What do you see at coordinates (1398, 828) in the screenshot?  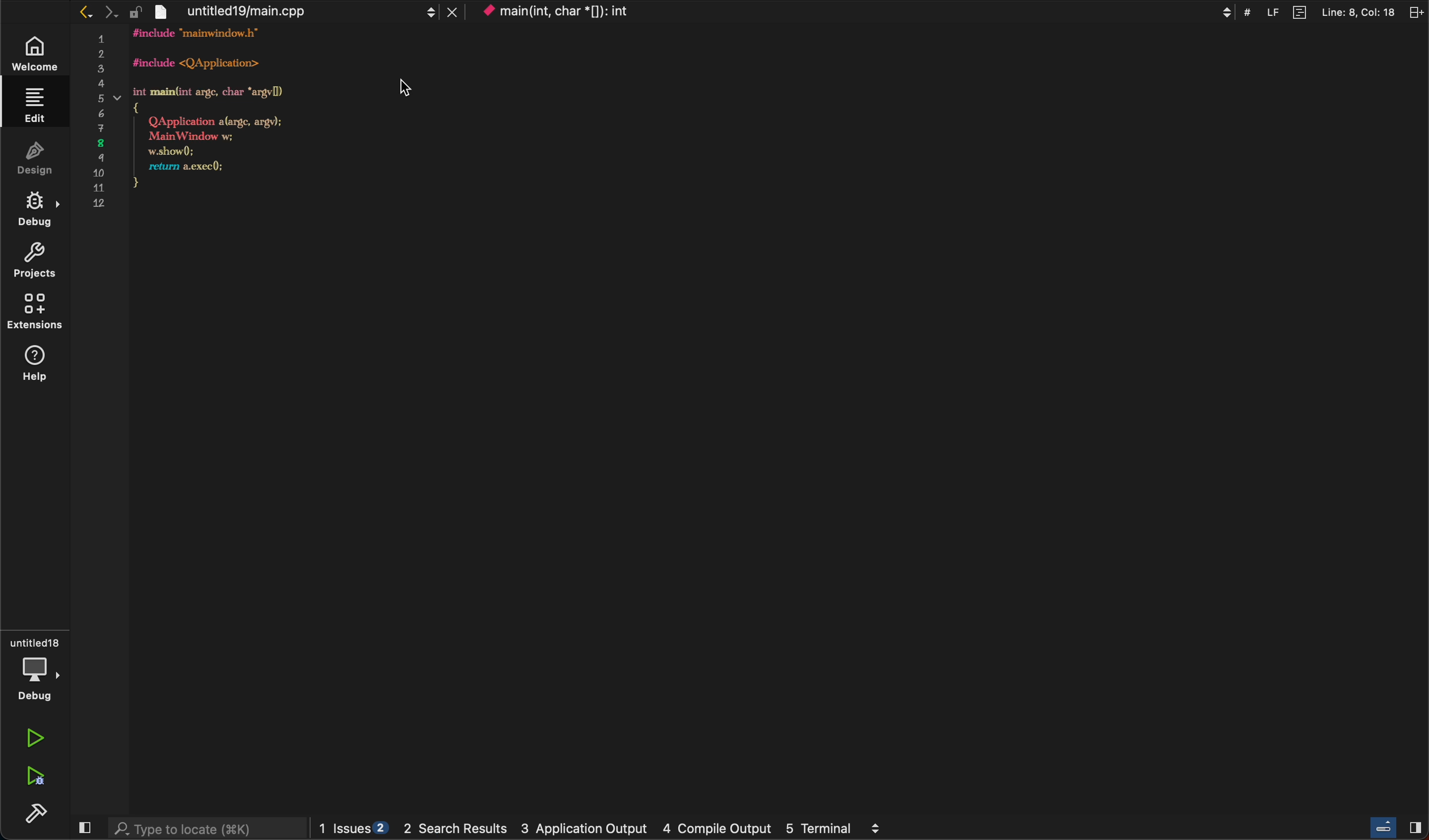 I see `close sidebar` at bounding box center [1398, 828].